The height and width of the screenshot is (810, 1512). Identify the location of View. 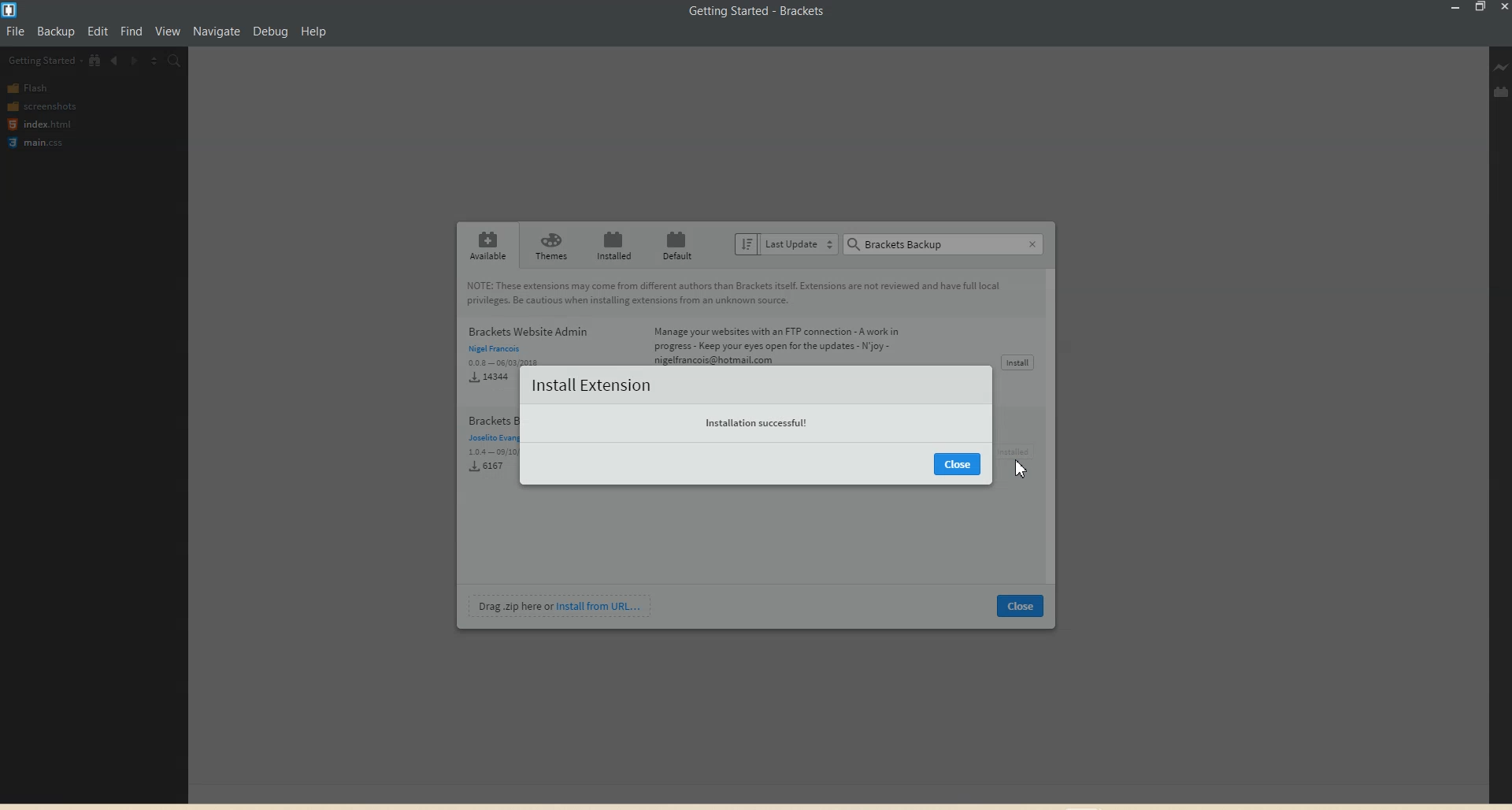
(172, 30).